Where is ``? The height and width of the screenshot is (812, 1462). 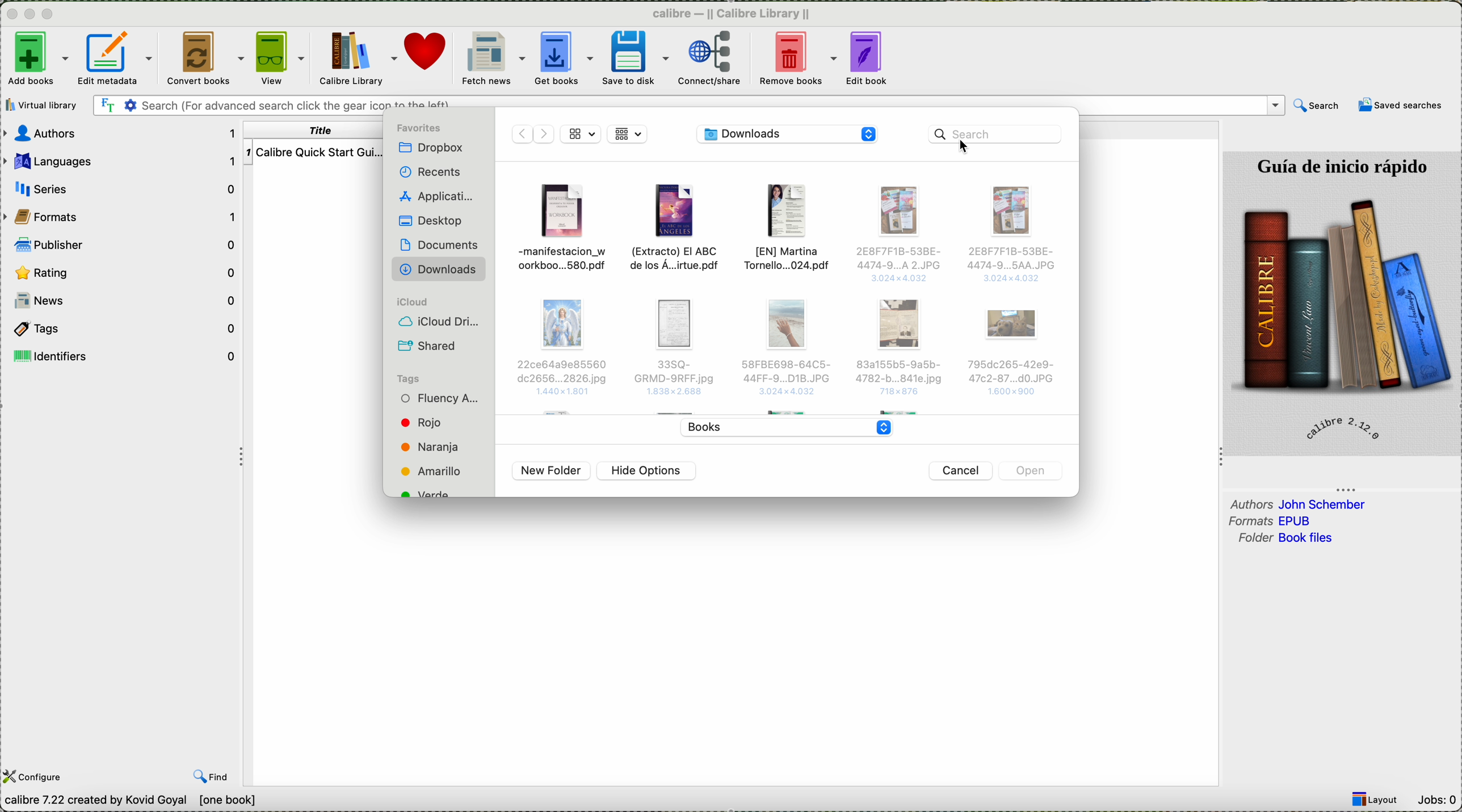  is located at coordinates (559, 356).